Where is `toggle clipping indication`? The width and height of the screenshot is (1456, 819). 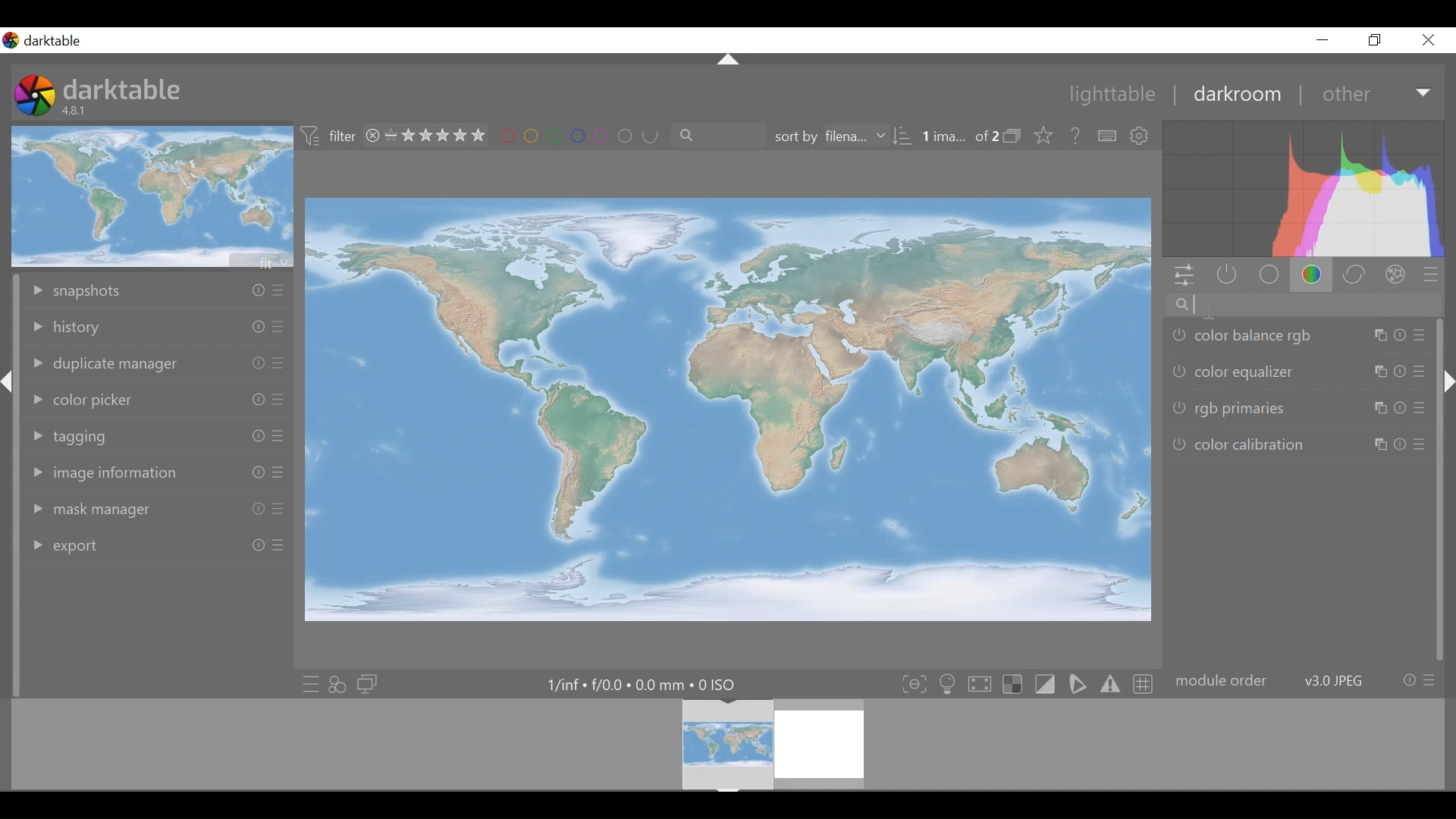
toggle clipping indication is located at coordinates (1044, 684).